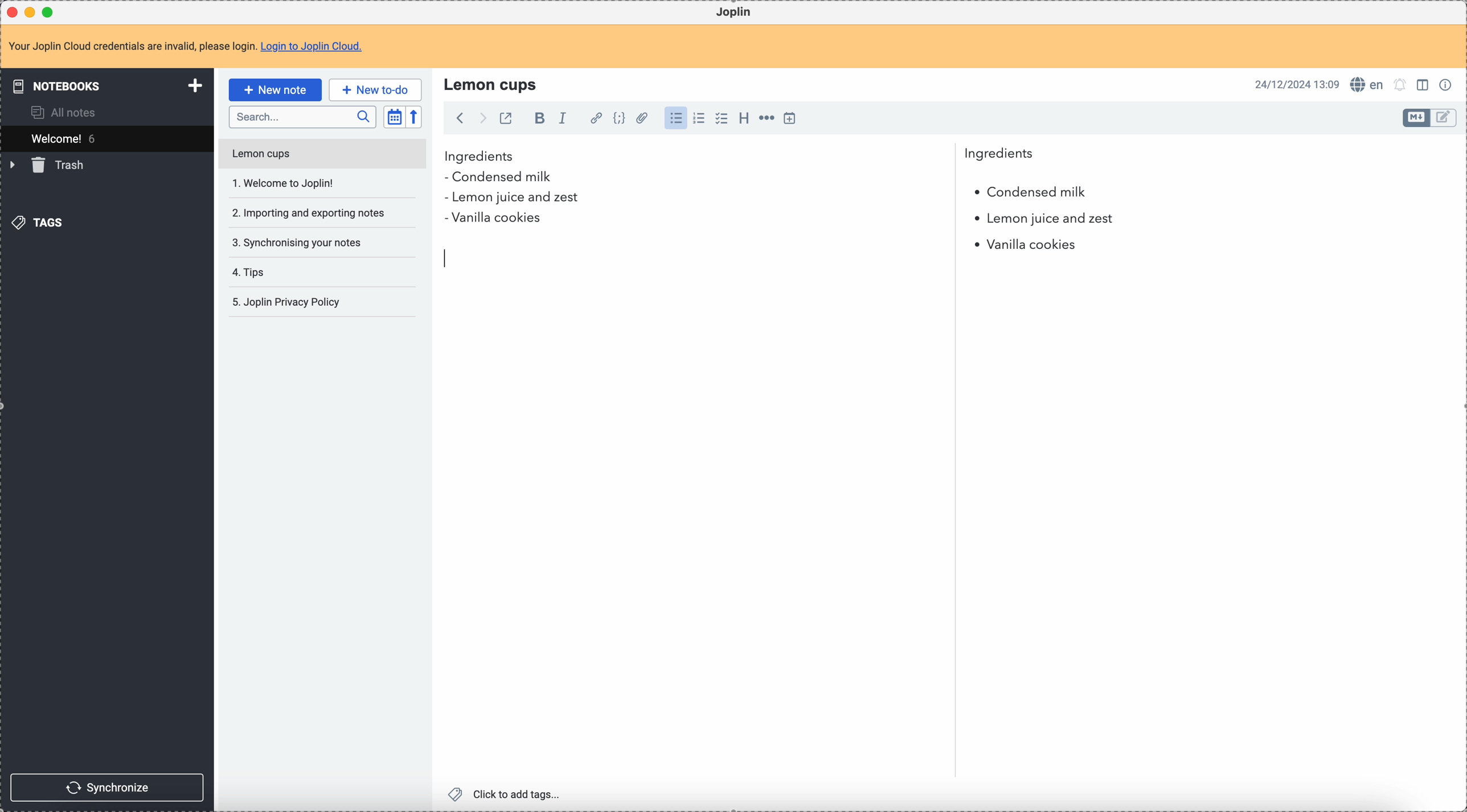  Describe the element at coordinates (109, 85) in the screenshot. I see `notebooks` at that location.